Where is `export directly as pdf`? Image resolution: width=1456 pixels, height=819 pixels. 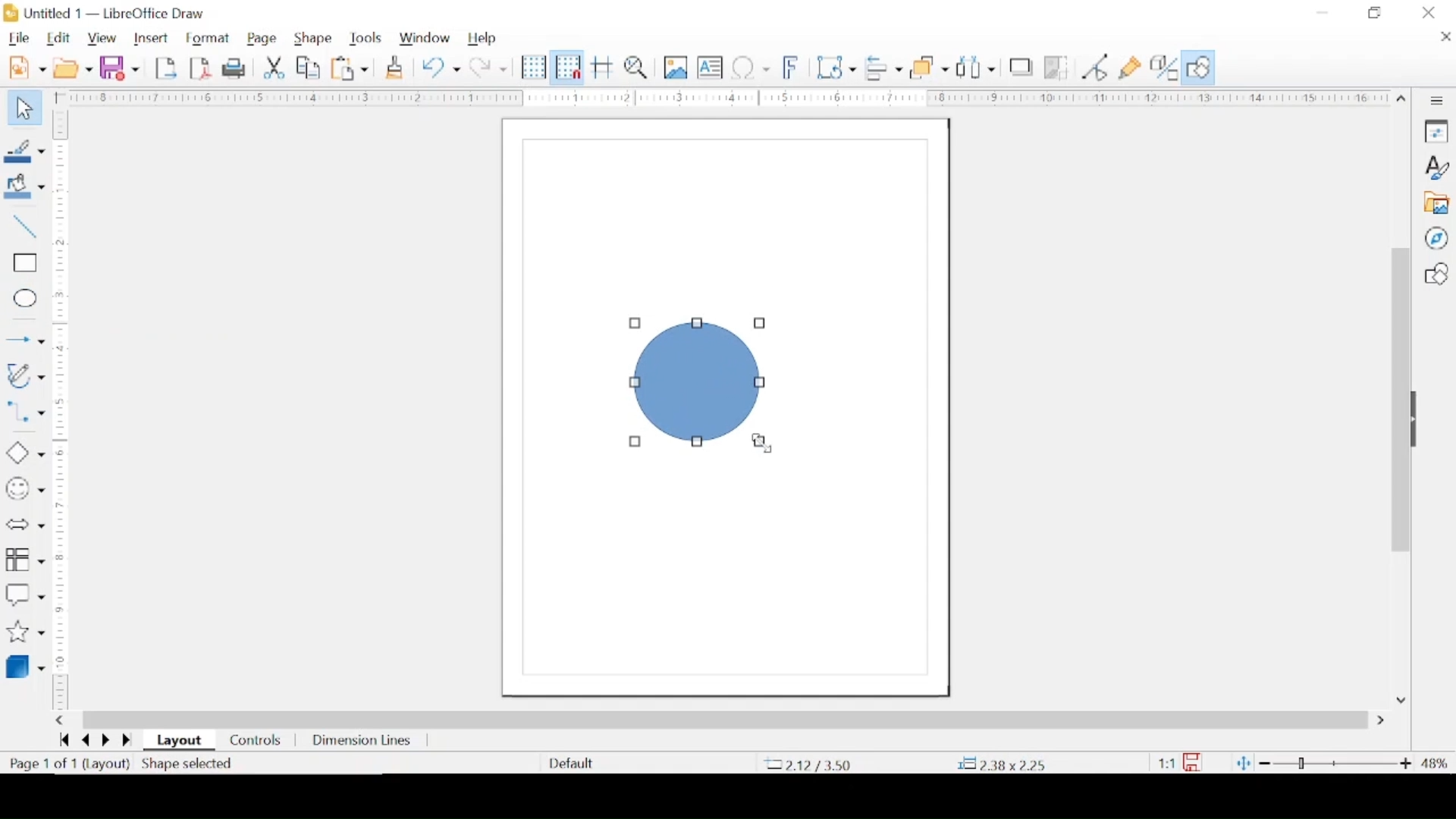
export directly as pdf is located at coordinates (201, 68).